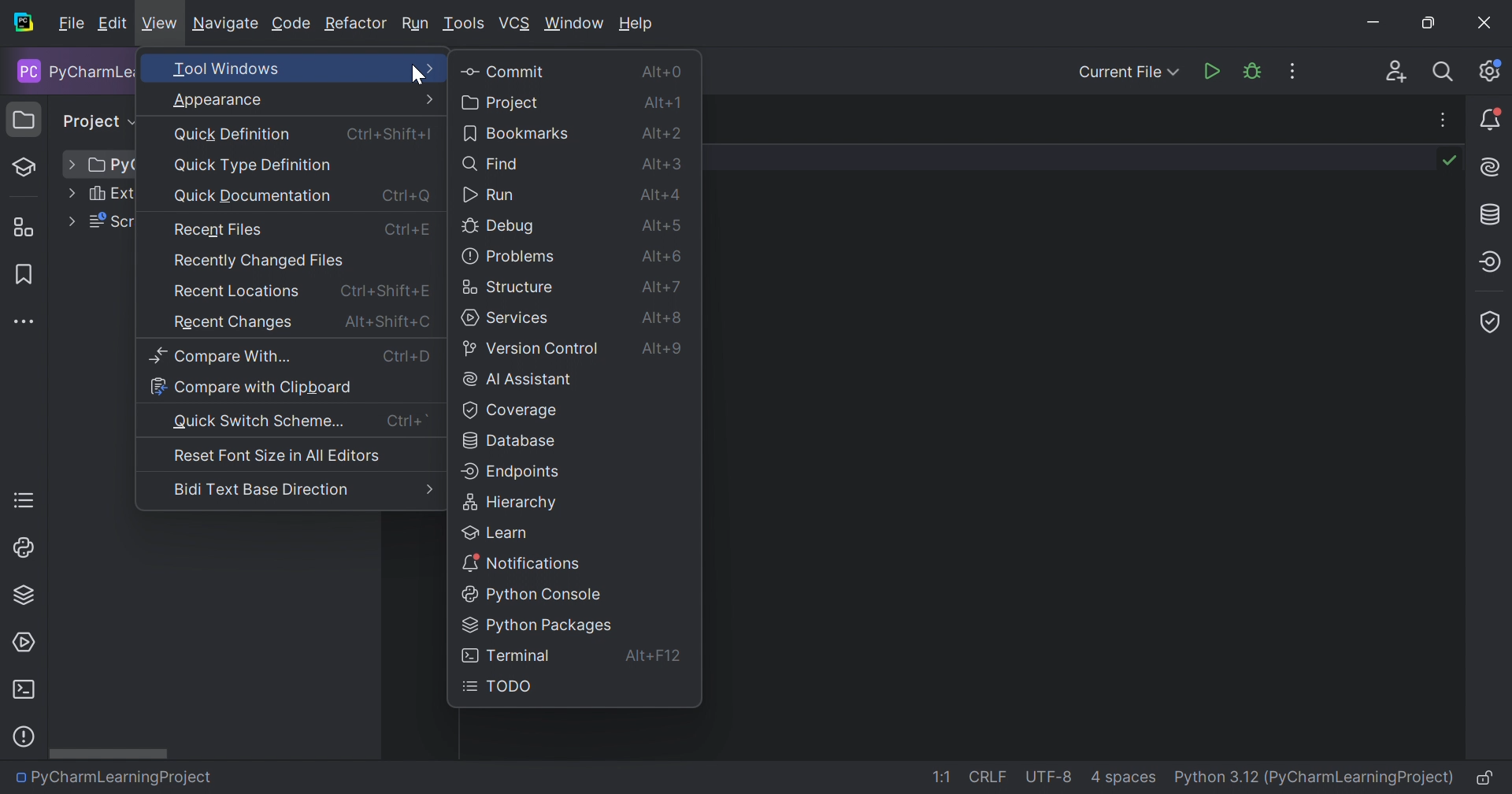  What do you see at coordinates (1251, 72) in the screenshot?
I see `Debug 'new.py'` at bounding box center [1251, 72].